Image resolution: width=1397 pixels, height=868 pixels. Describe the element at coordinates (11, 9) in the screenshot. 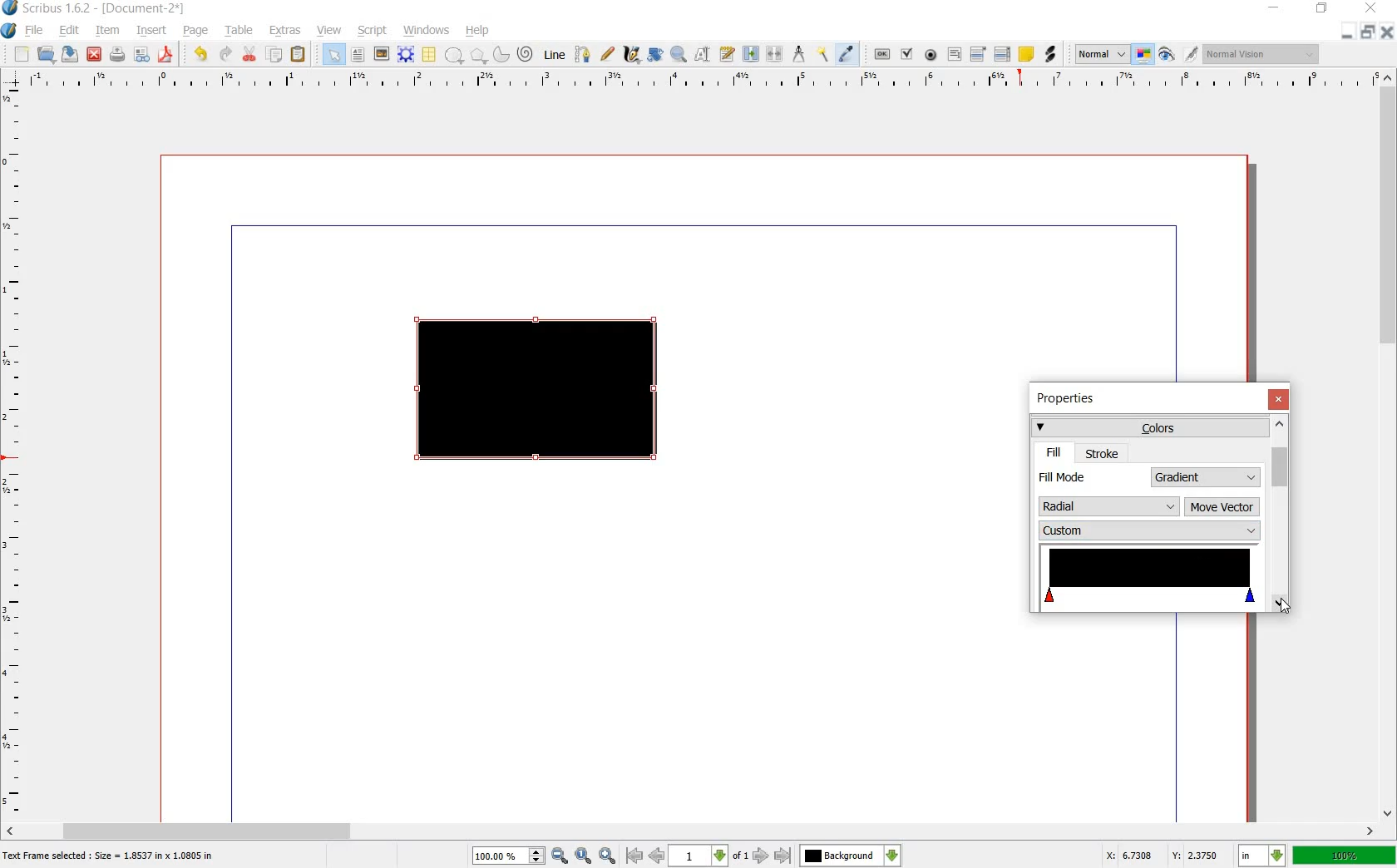

I see `logo` at that location.